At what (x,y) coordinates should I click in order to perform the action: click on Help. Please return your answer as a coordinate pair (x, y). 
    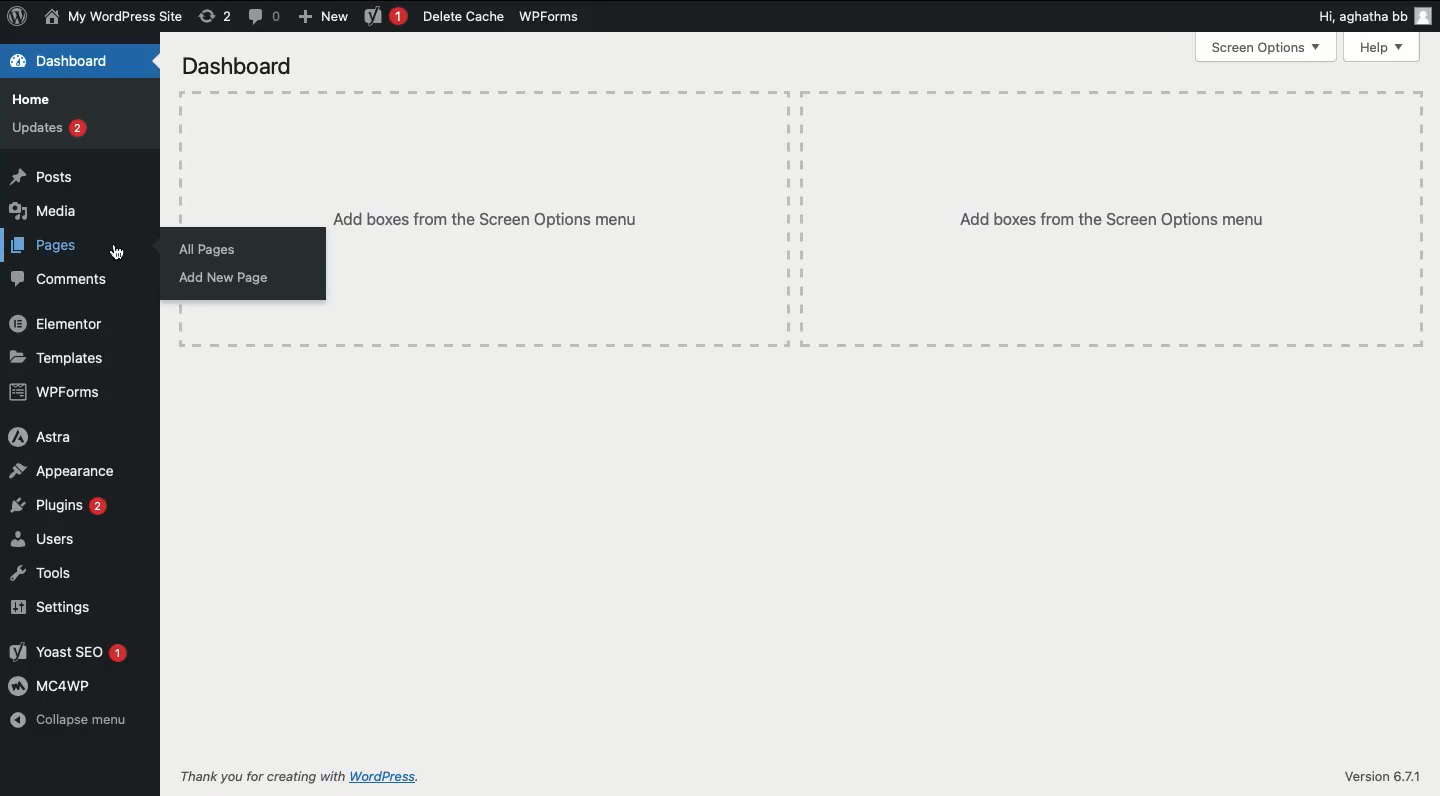
    Looking at the image, I should click on (1384, 47).